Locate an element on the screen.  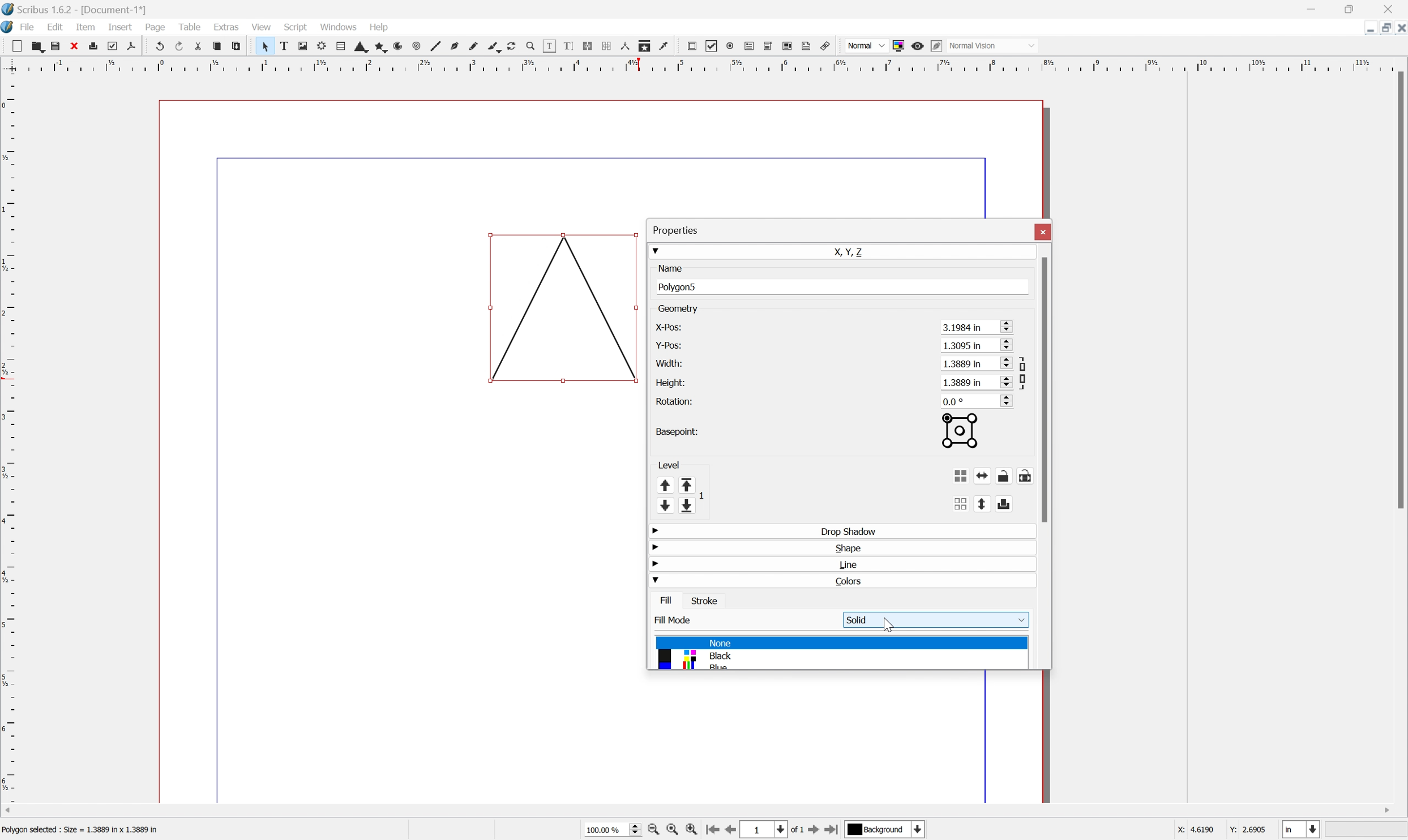
X-pos: is located at coordinates (668, 327).